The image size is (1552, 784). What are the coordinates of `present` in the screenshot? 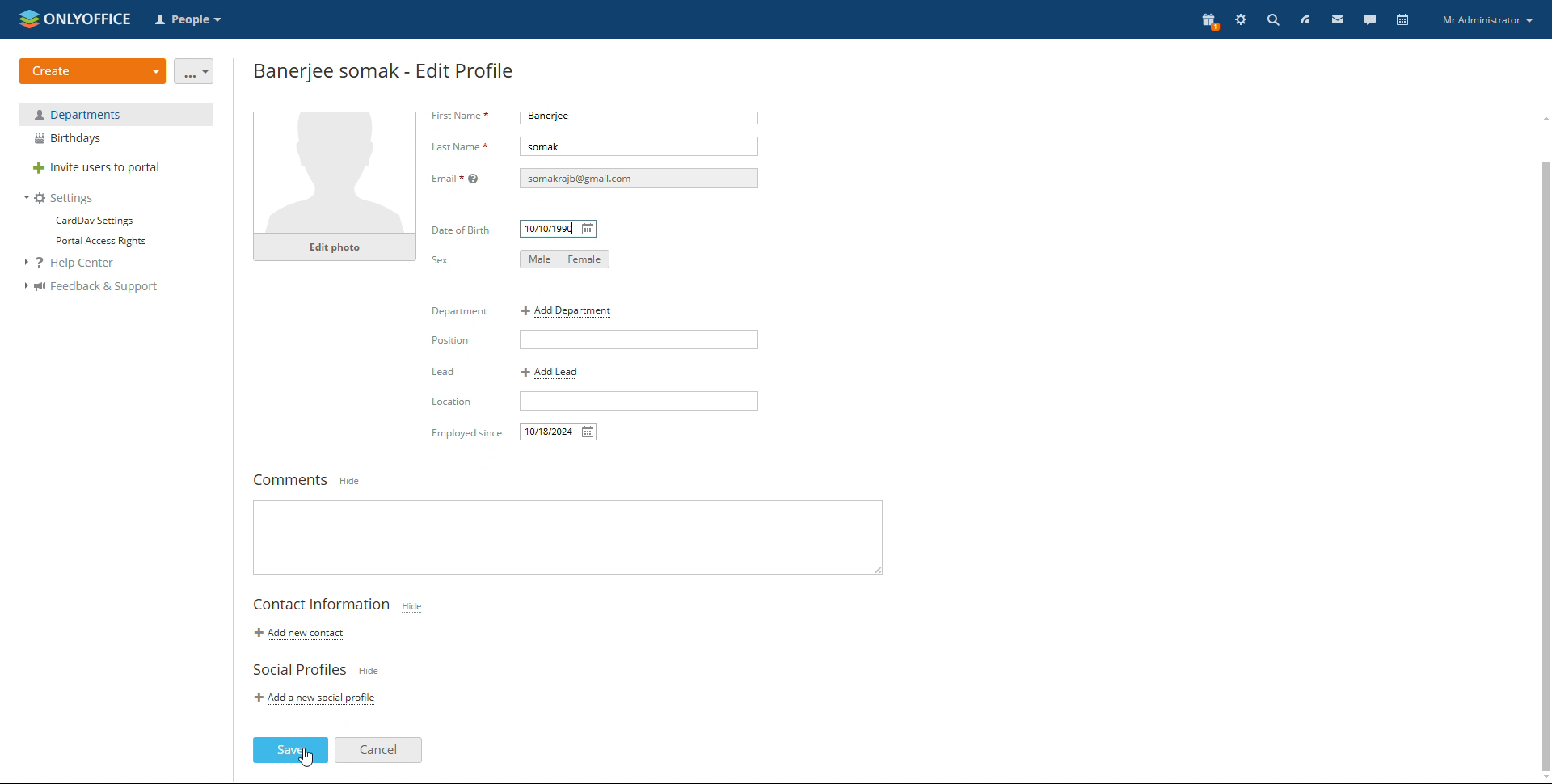 It's located at (1208, 22).